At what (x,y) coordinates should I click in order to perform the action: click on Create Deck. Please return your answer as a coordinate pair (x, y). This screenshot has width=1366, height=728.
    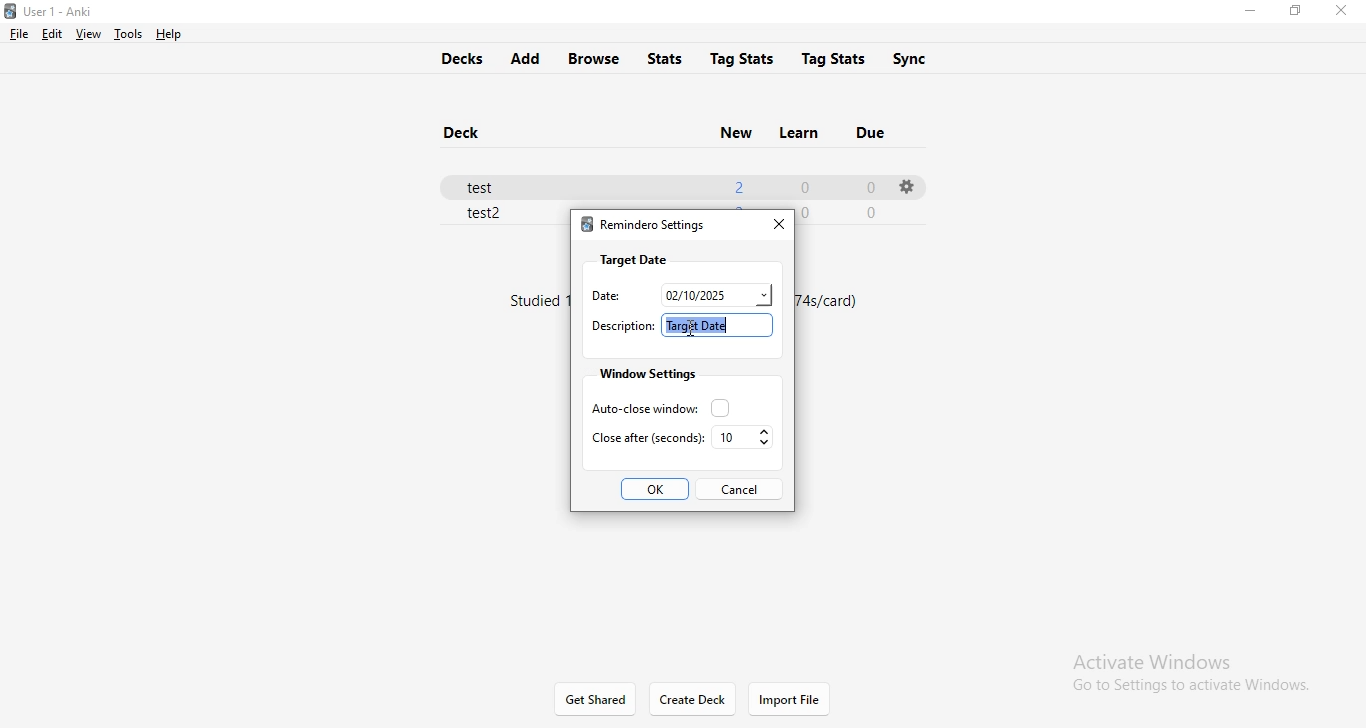
    Looking at the image, I should click on (693, 700).